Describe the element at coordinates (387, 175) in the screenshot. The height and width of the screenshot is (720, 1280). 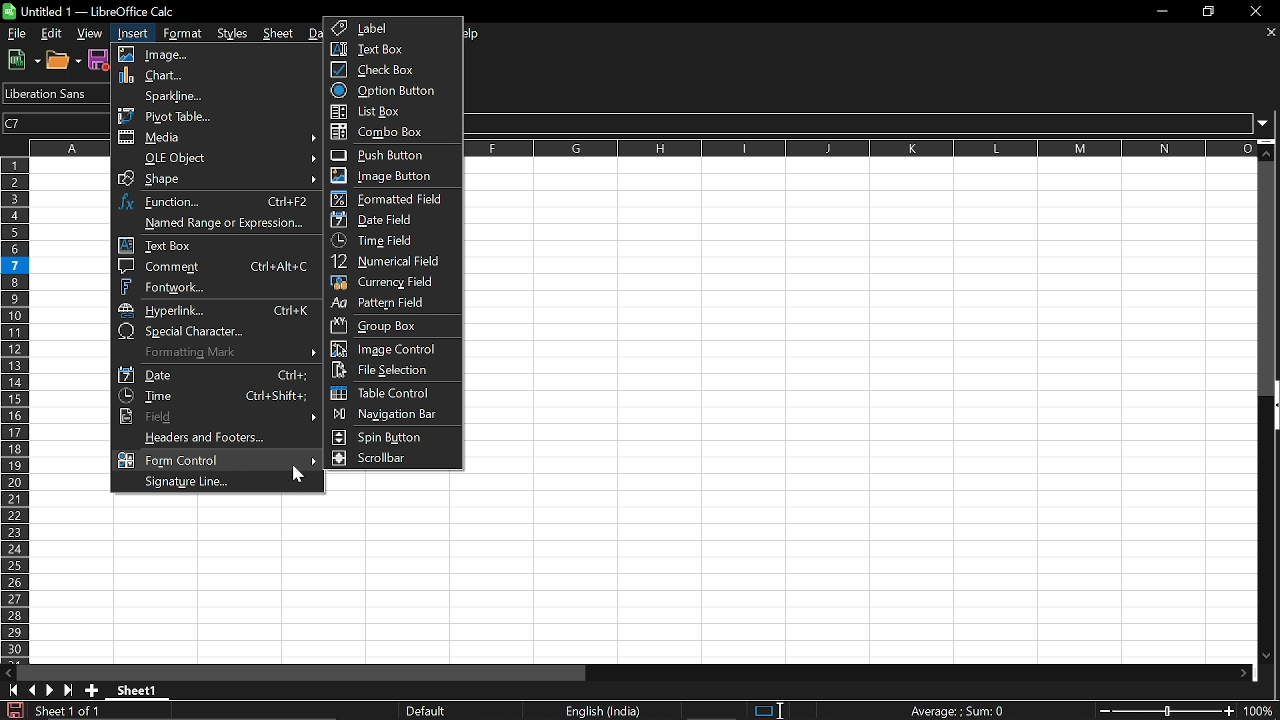
I see `Image button` at that location.